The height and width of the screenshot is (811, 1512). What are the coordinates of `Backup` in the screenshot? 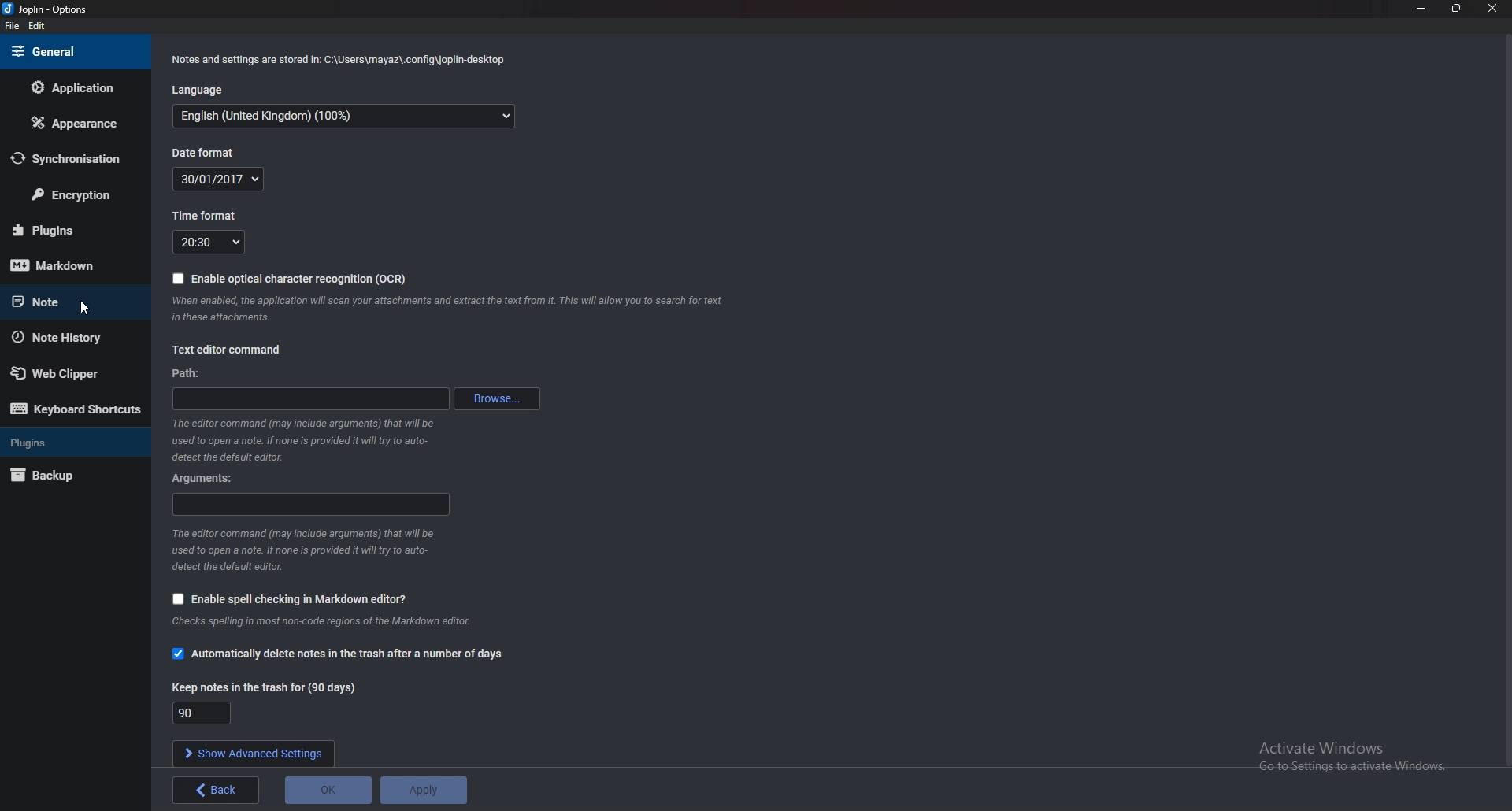 It's located at (65, 476).